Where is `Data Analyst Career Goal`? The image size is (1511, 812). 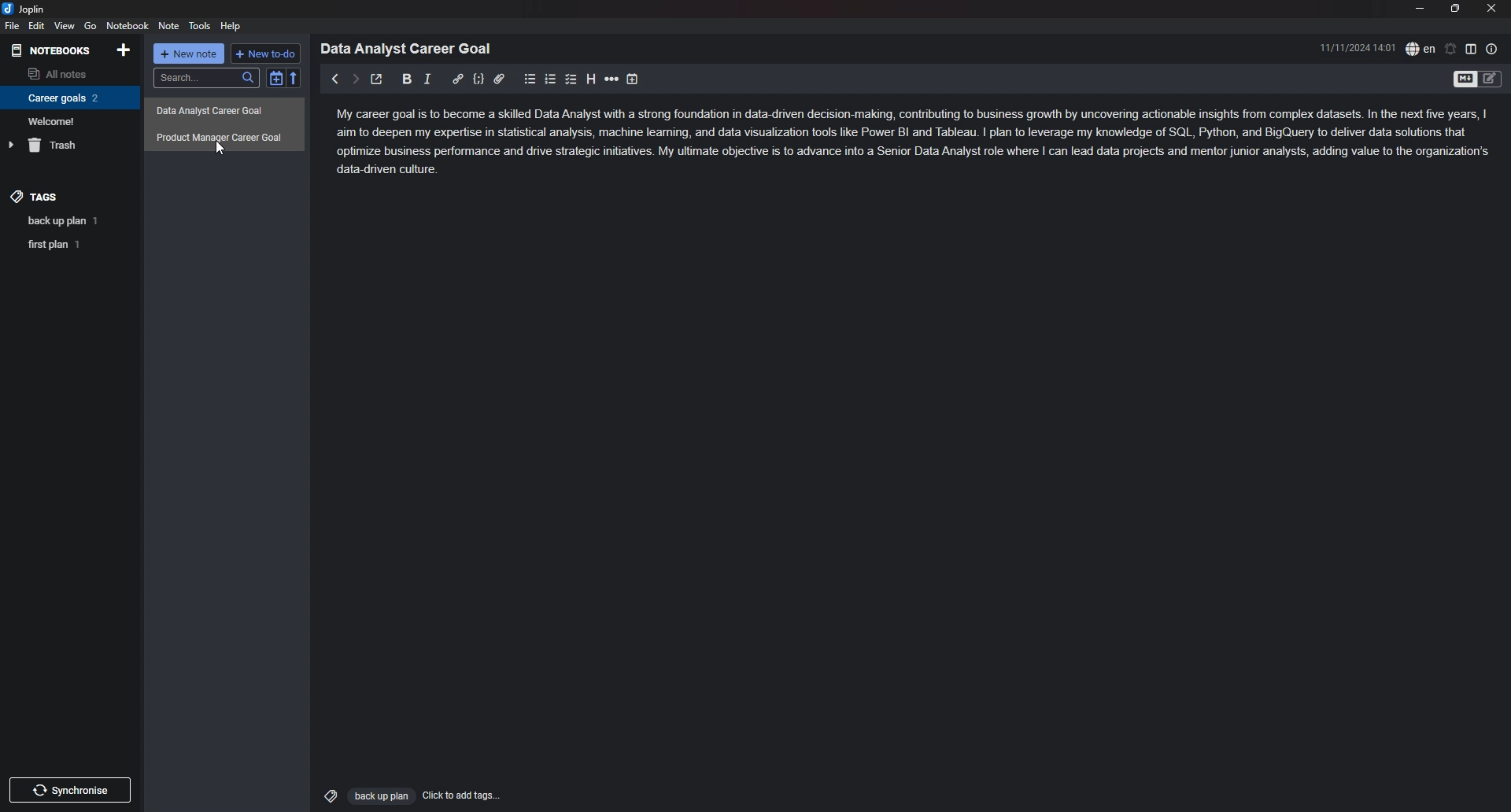 Data Analyst Career Goal is located at coordinates (412, 48).